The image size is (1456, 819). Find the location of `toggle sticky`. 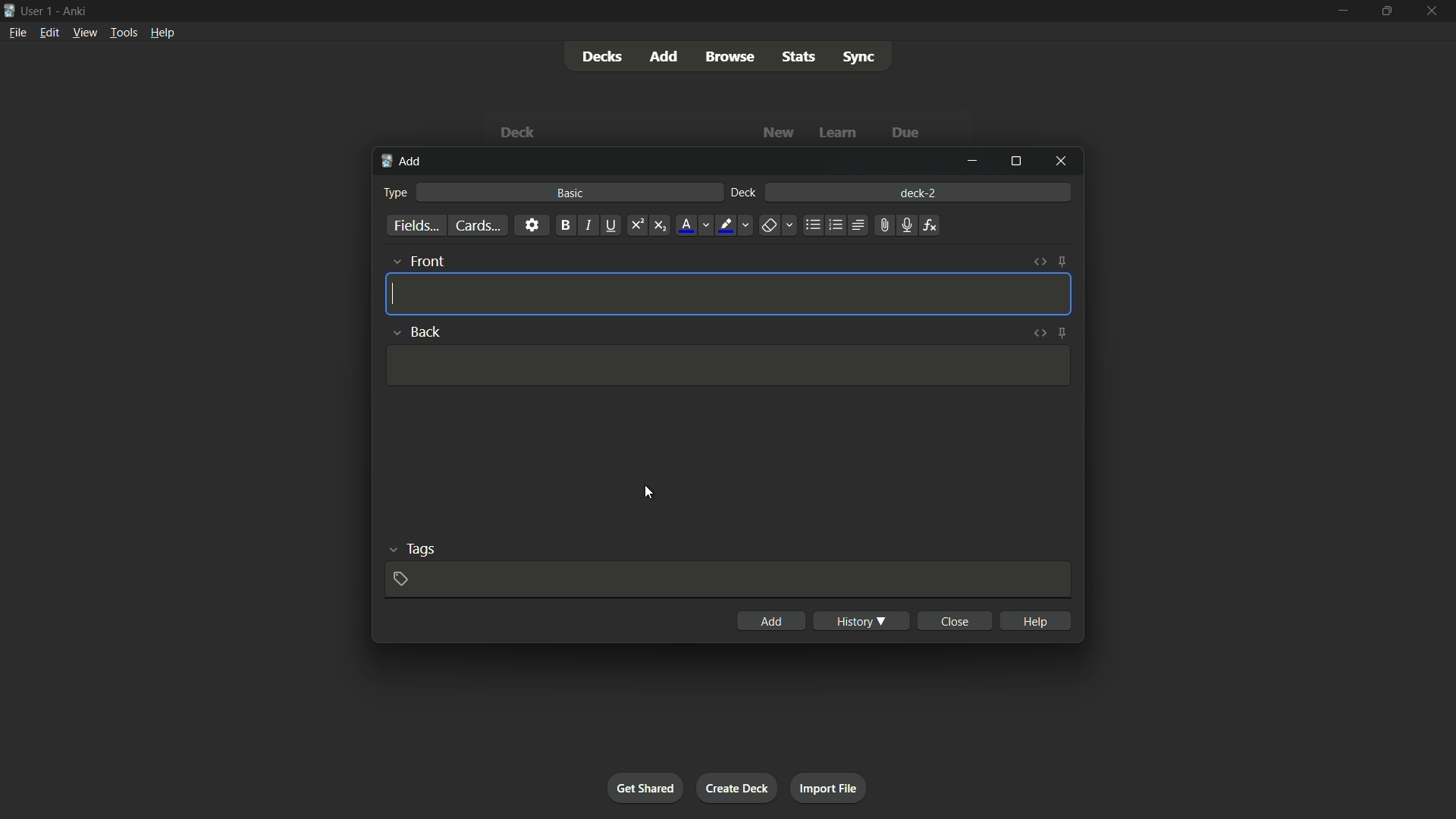

toggle sticky is located at coordinates (1062, 332).